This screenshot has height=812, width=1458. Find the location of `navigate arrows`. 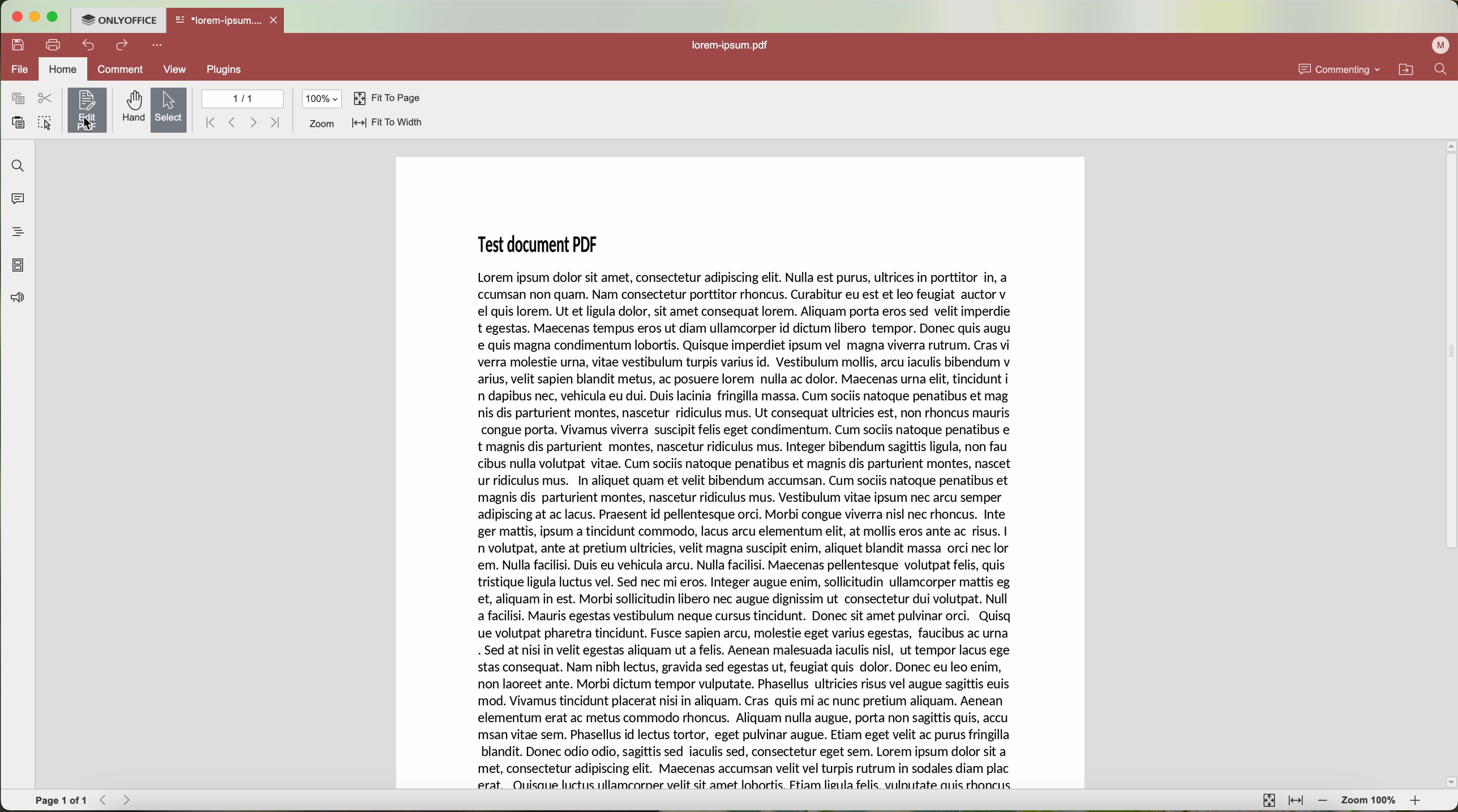

navigate arrows is located at coordinates (243, 123).